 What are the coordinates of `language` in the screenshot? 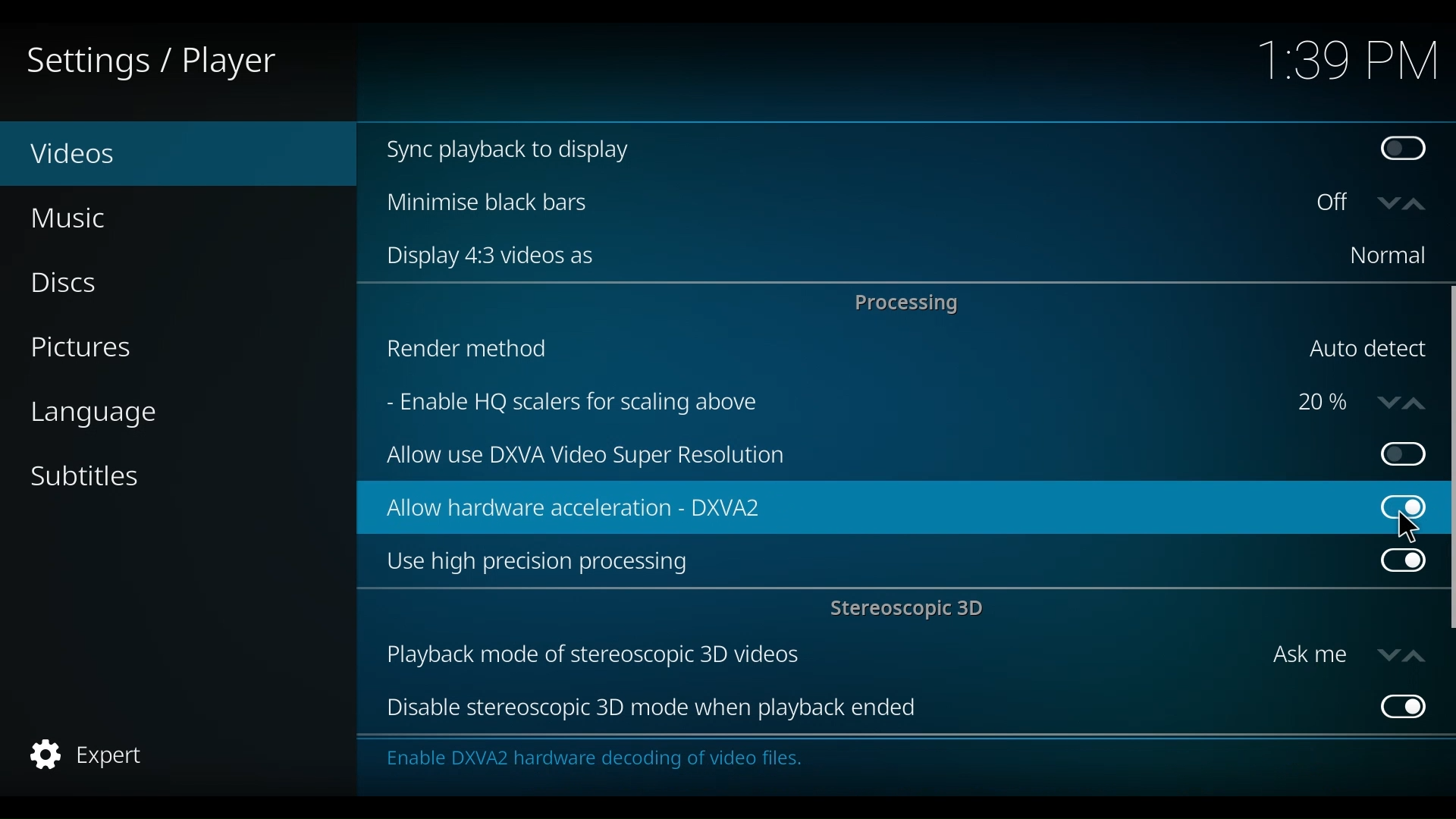 It's located at (93, 415).